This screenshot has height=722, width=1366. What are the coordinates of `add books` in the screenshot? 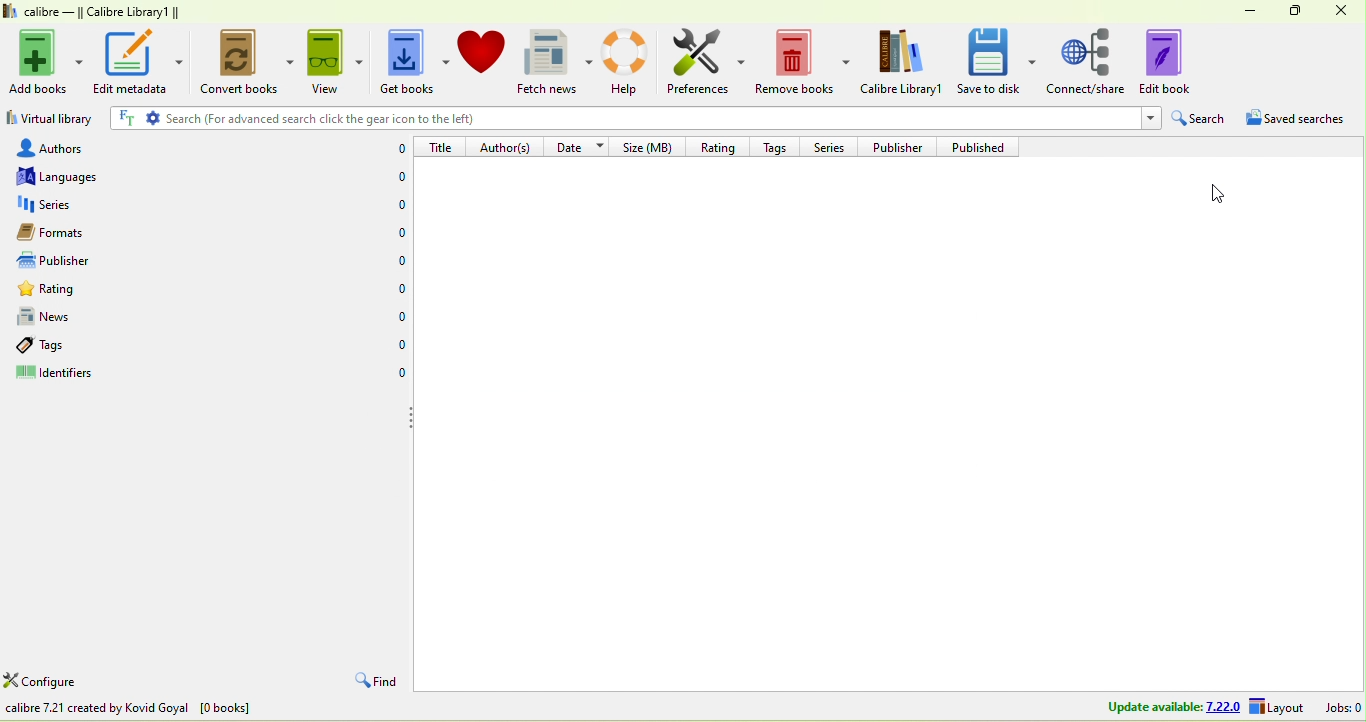 It's located at (47, 59).